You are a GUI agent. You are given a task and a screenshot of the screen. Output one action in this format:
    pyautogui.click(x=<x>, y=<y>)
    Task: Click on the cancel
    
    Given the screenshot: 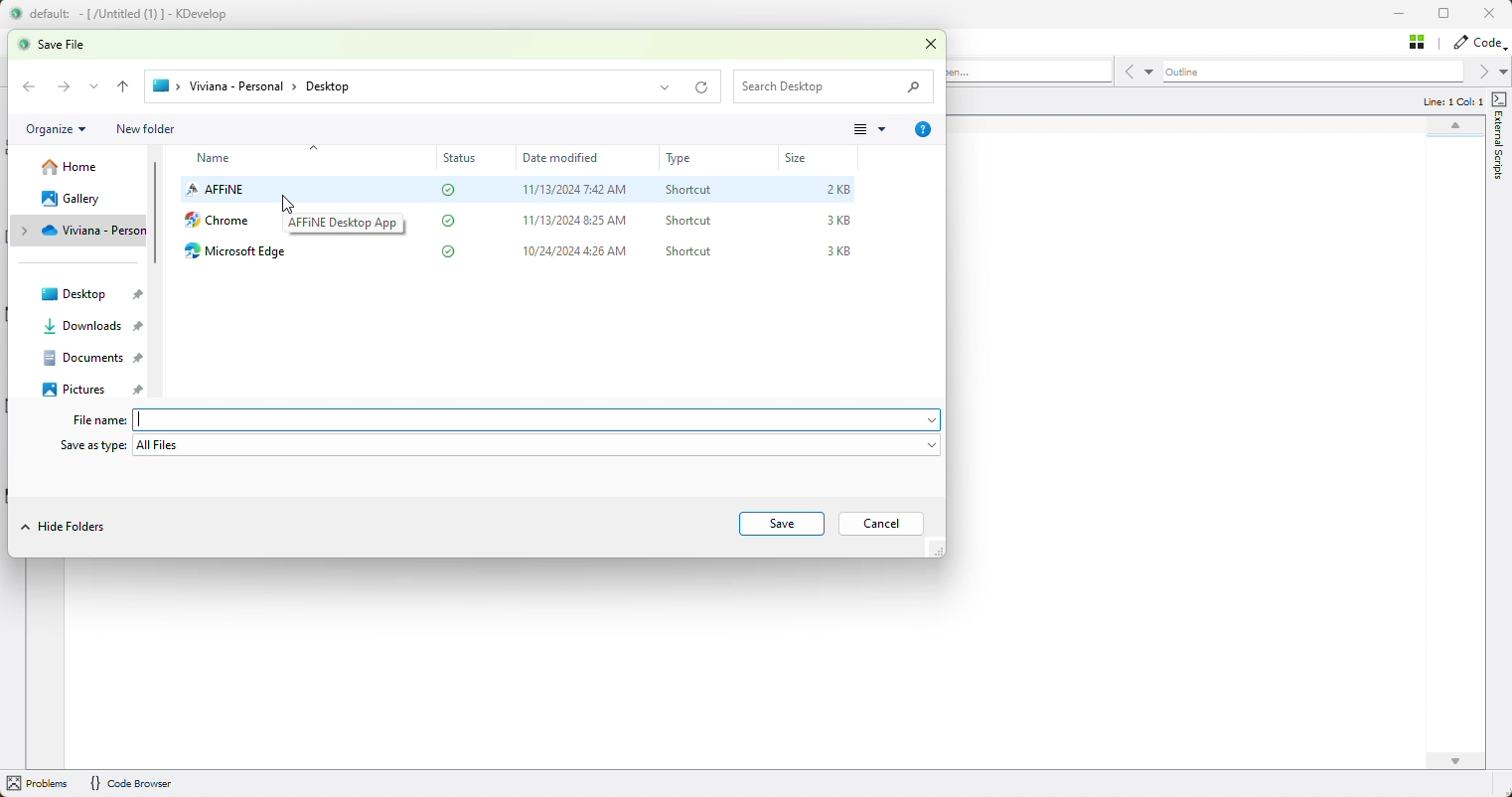 What is the action you would take?
    pyautogui.click(x=878, y=523)
    